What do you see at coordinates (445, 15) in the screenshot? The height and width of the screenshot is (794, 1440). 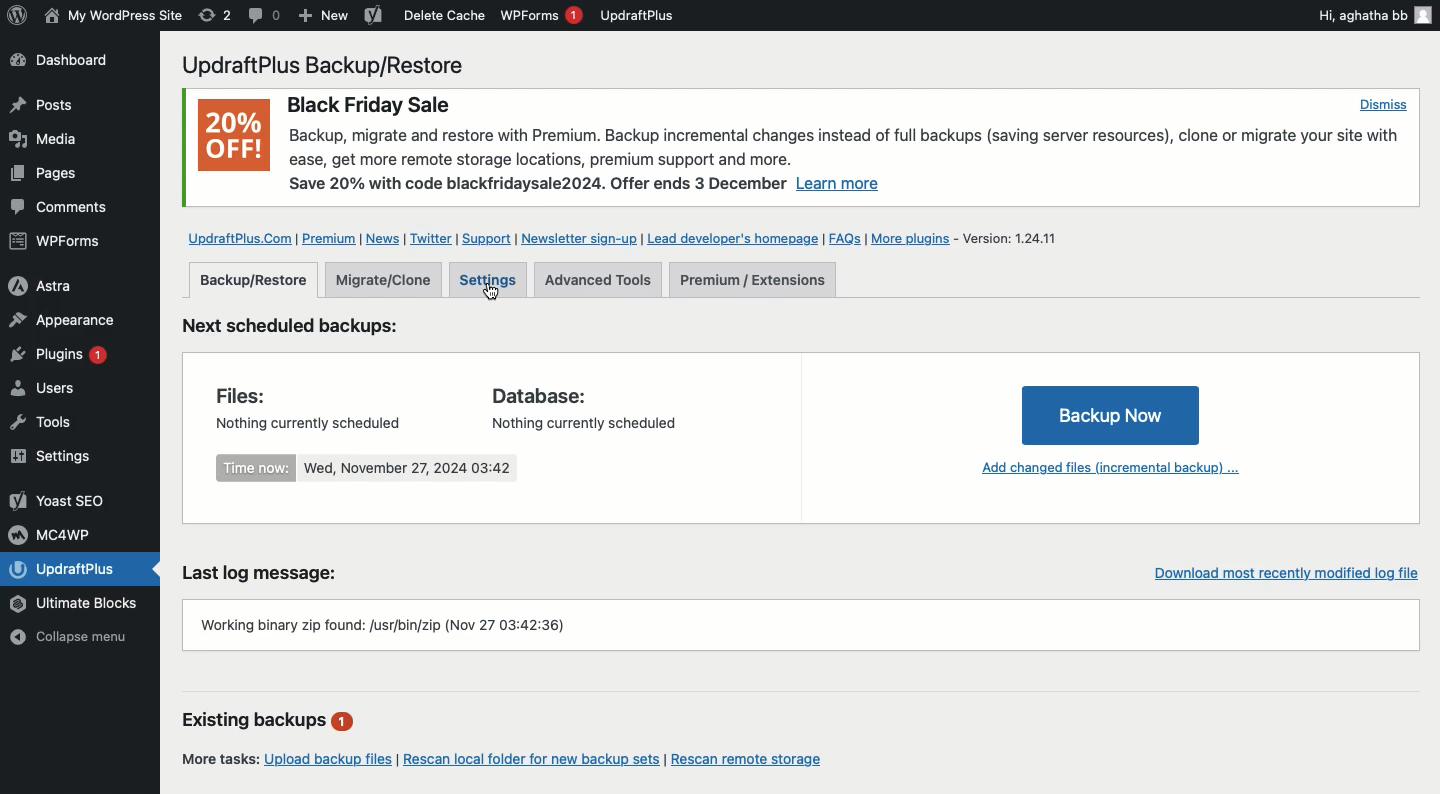 I see `Delete cache` at bounding box center [445, 15].